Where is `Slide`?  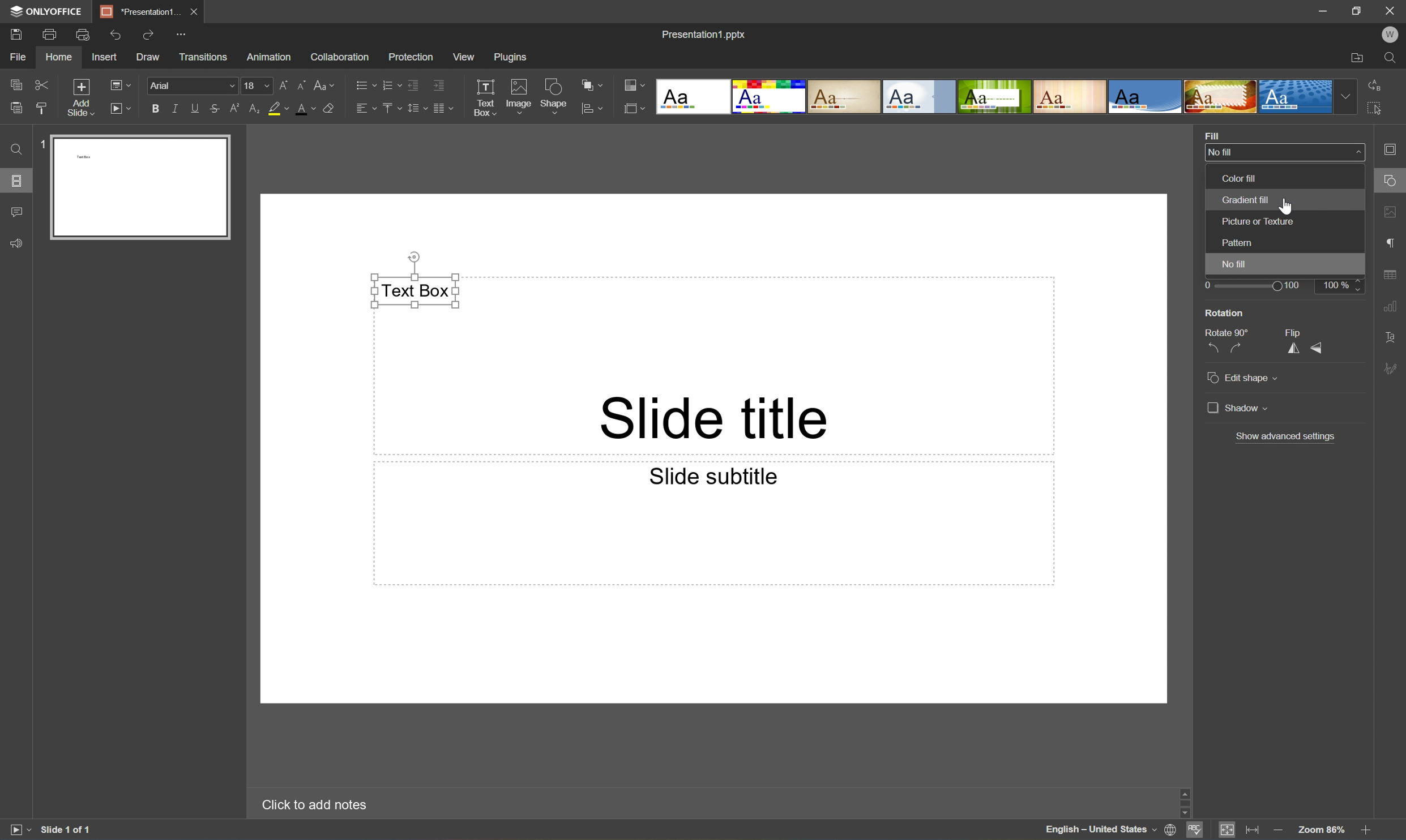
Slide is located at coordinates (139, 186).